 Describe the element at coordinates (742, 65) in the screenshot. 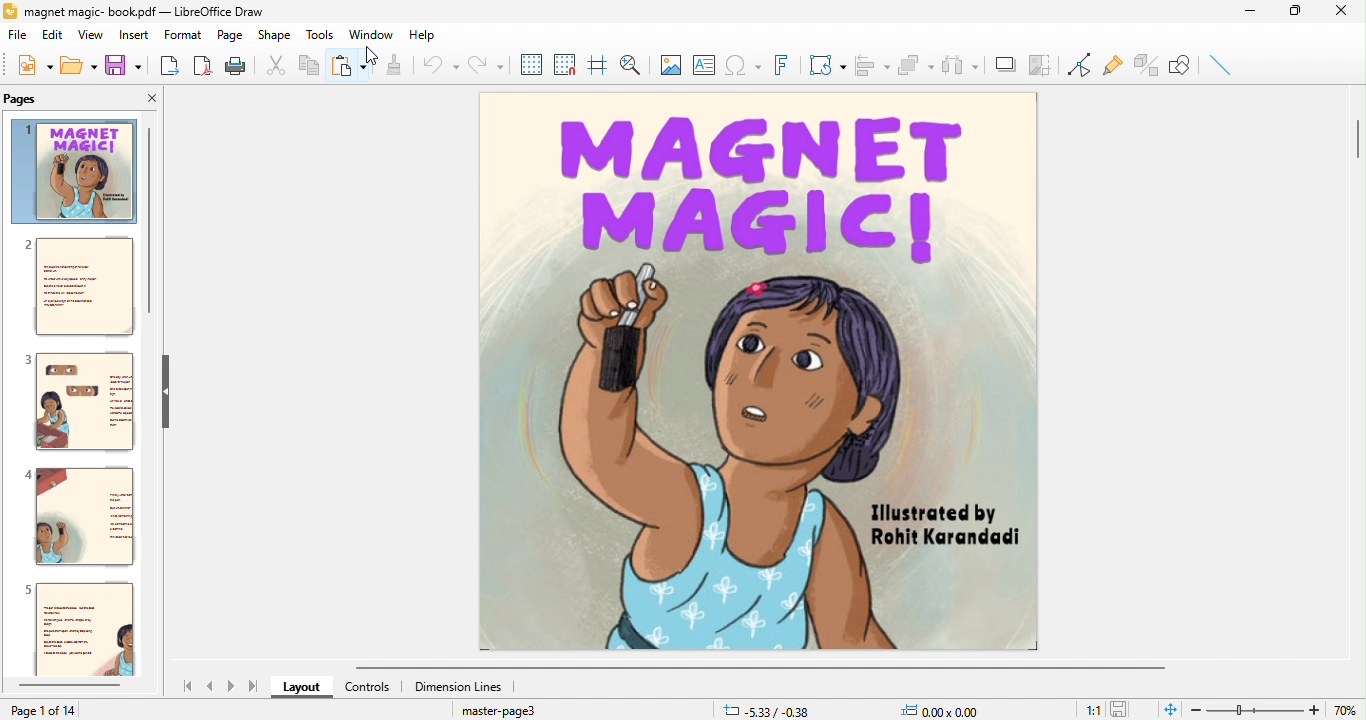

I see `special character` at that location.